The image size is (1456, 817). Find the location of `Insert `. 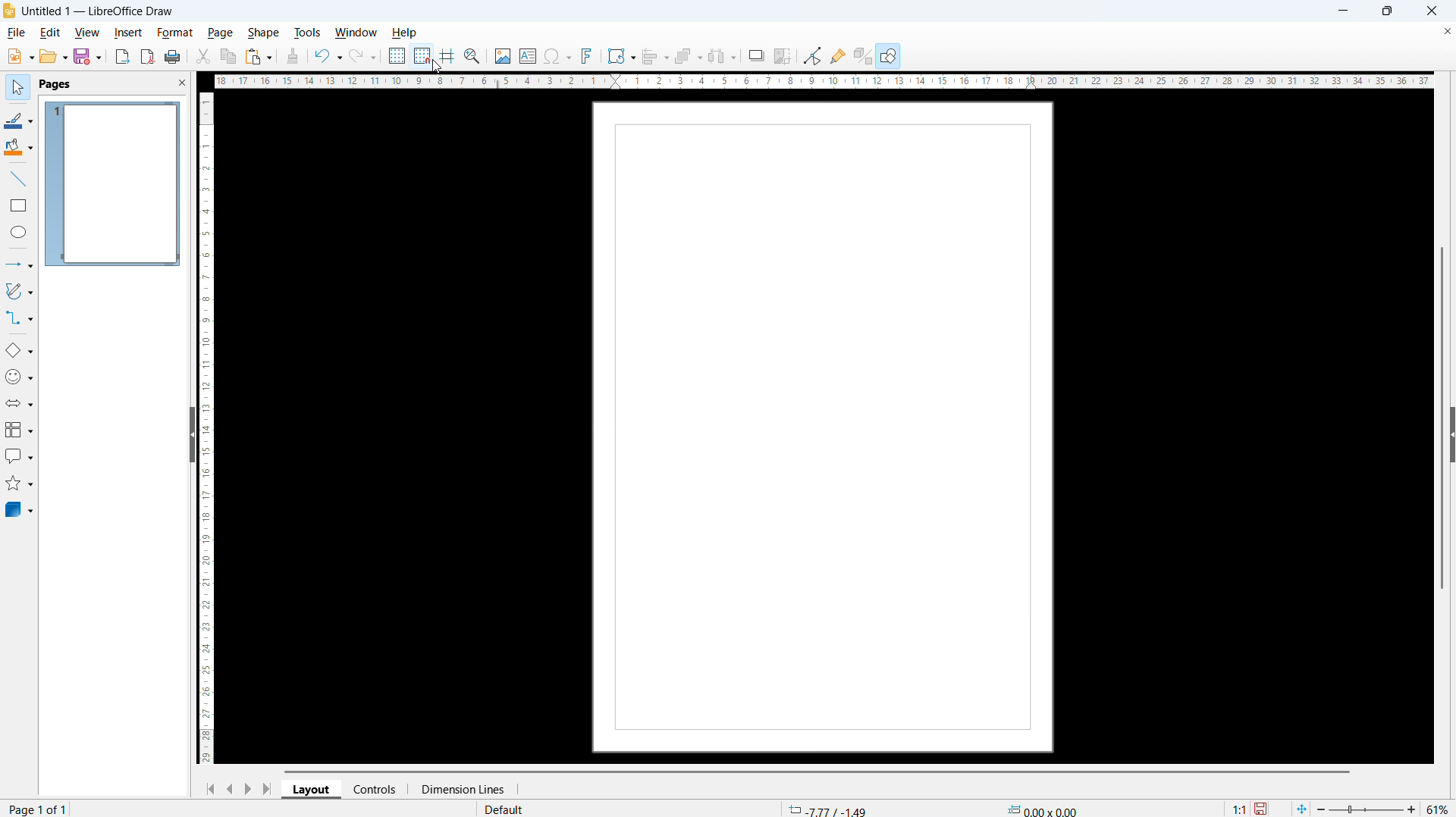

Insert  is located at coordinates (128, 33).